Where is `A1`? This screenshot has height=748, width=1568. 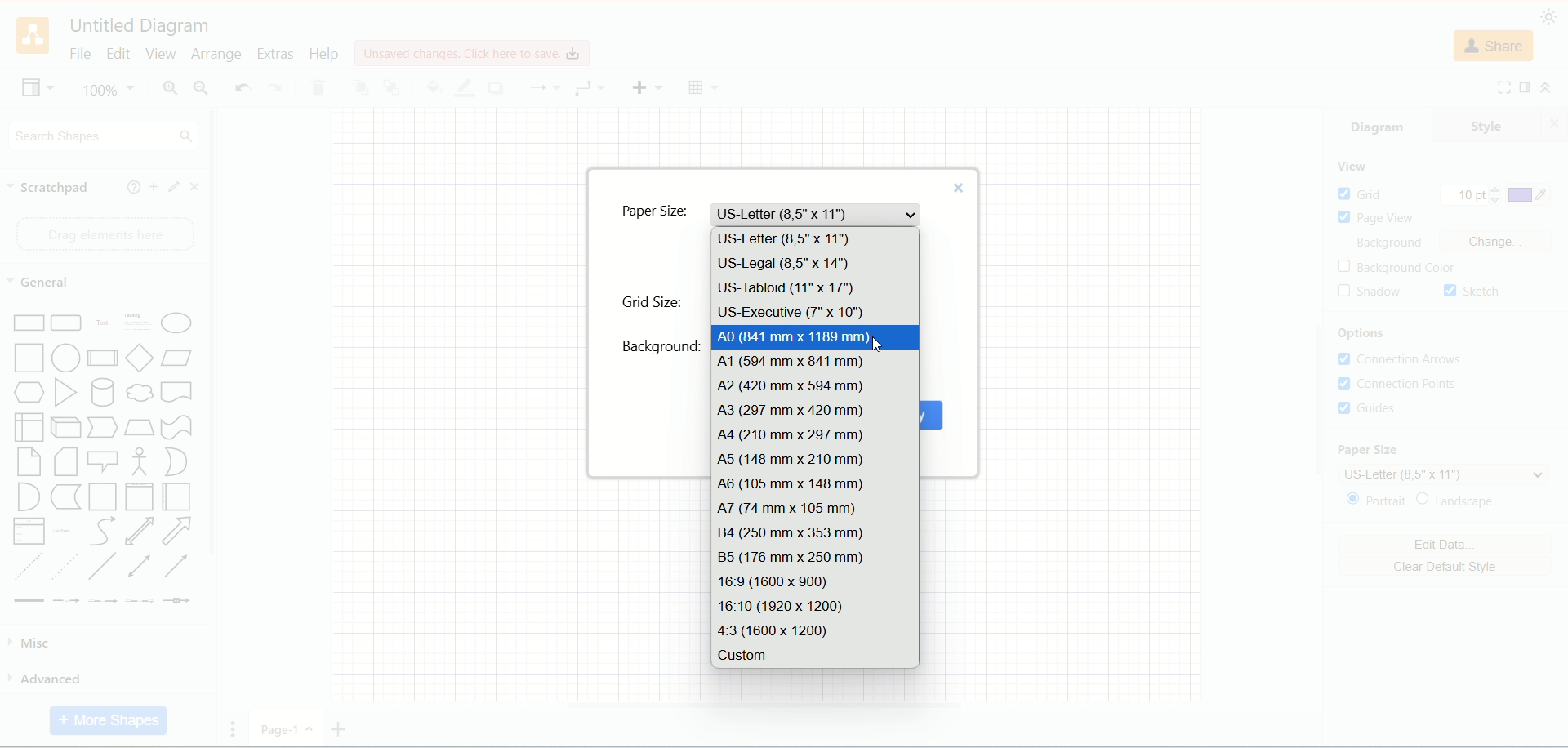 A1 is located at coordinates (813, 363).